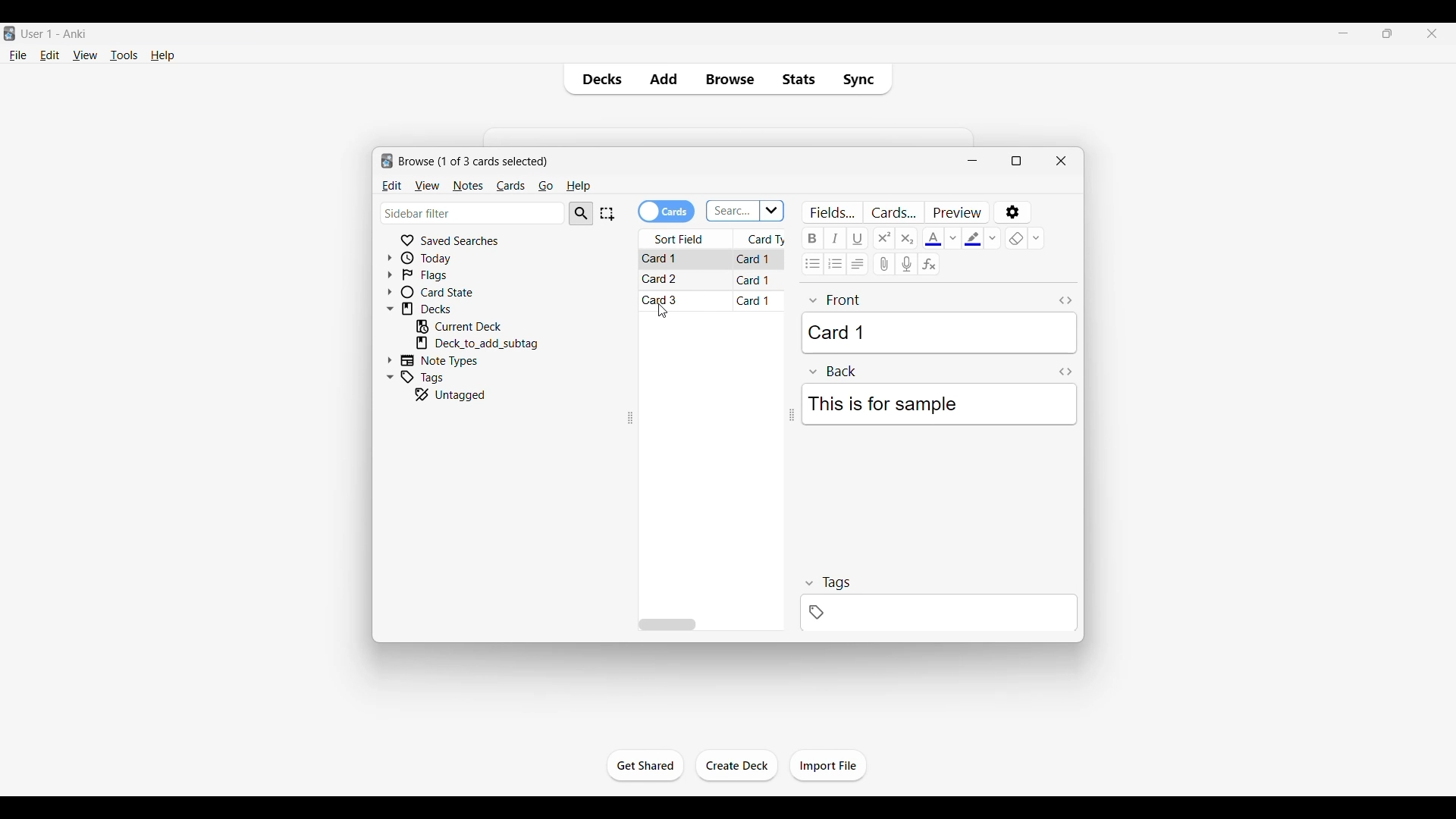 The height and width of the screenshot is (819, 1456). I want to click on Click to go to card state, so click(449, 291).